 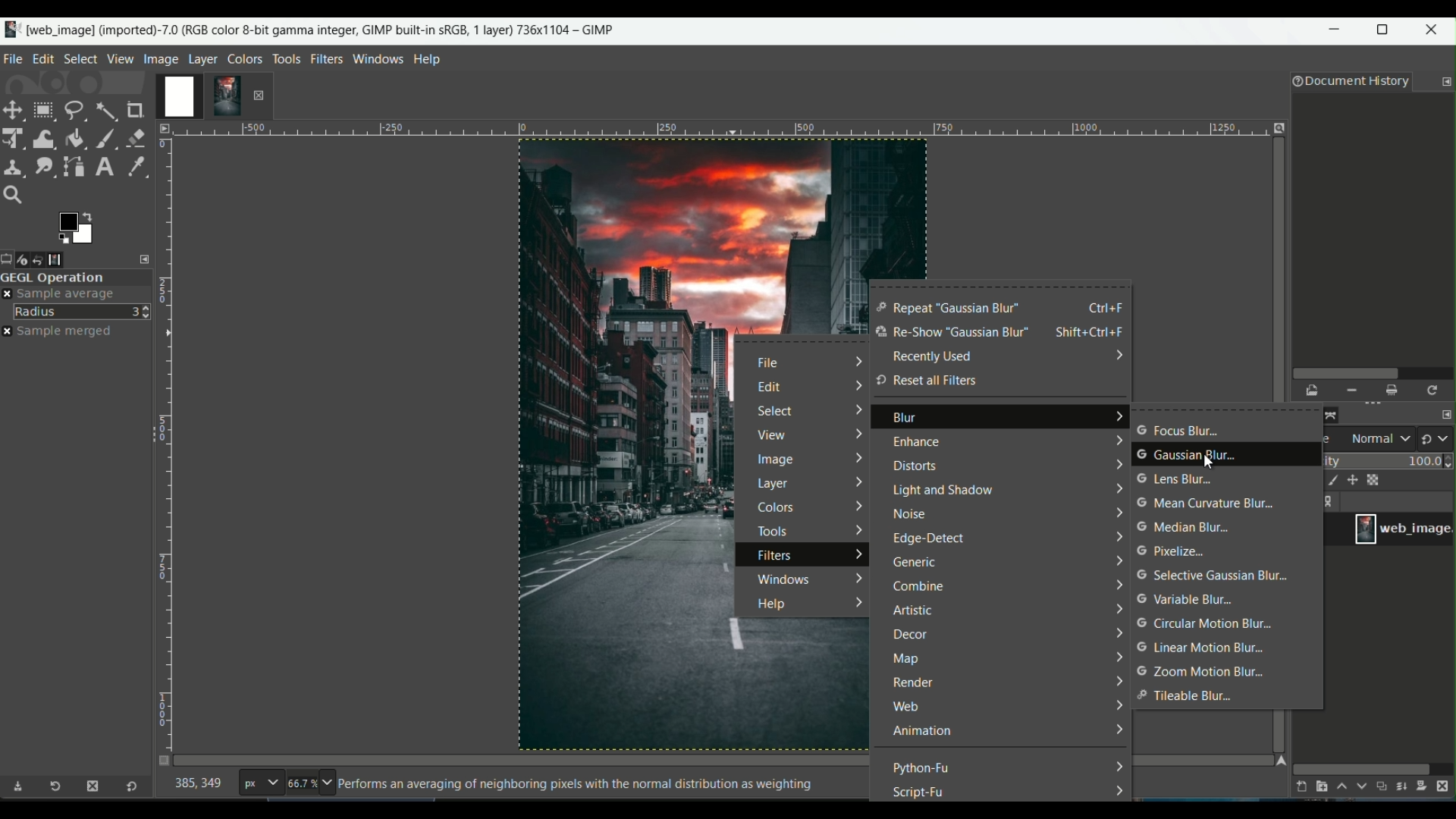 What do you see at coordinates (926, 381) in the screenshot?
I see `reset all filters` at bounding box center [926, 381].